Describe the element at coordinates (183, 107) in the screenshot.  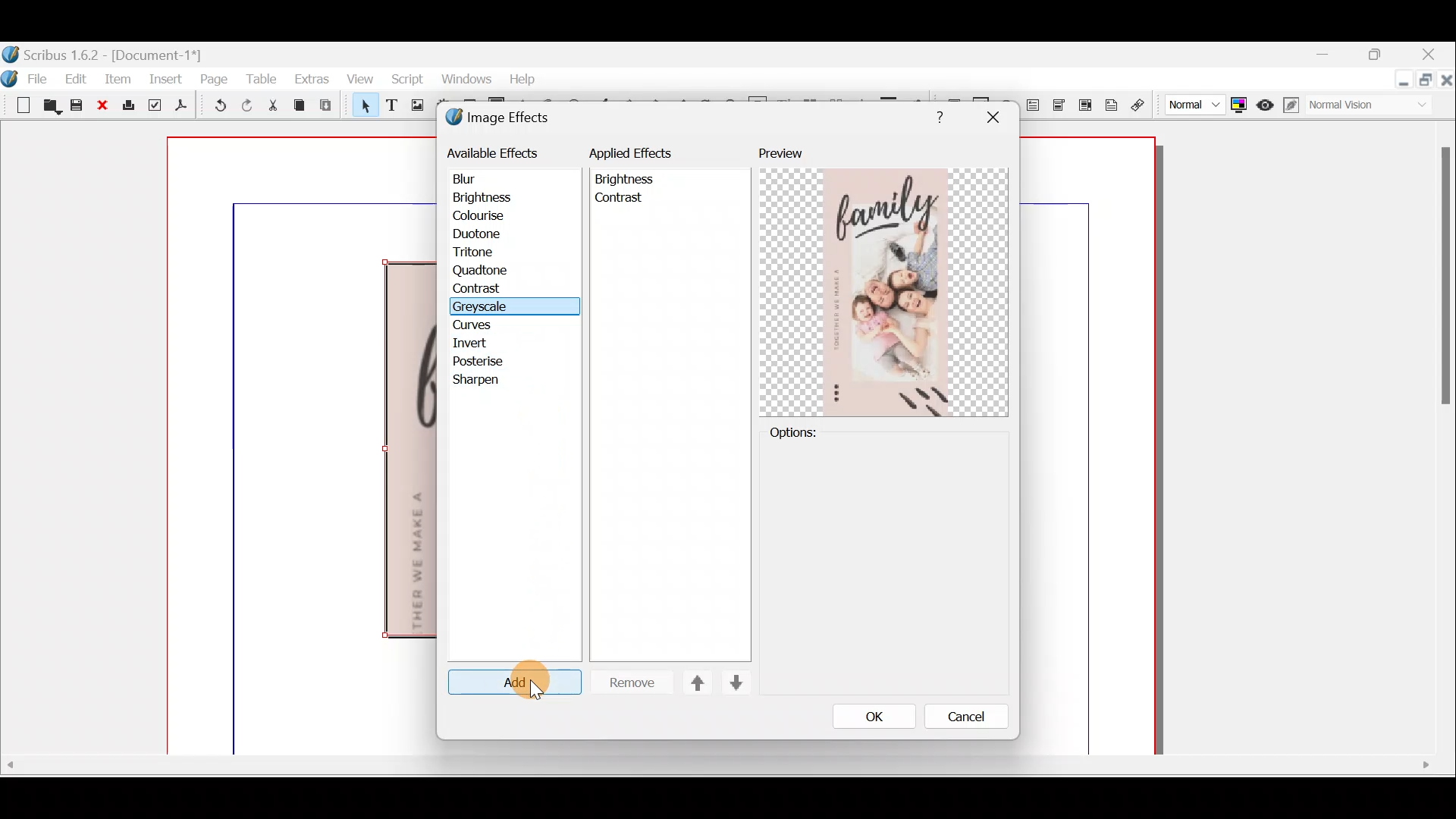
I see `Save as PDF` at that location.